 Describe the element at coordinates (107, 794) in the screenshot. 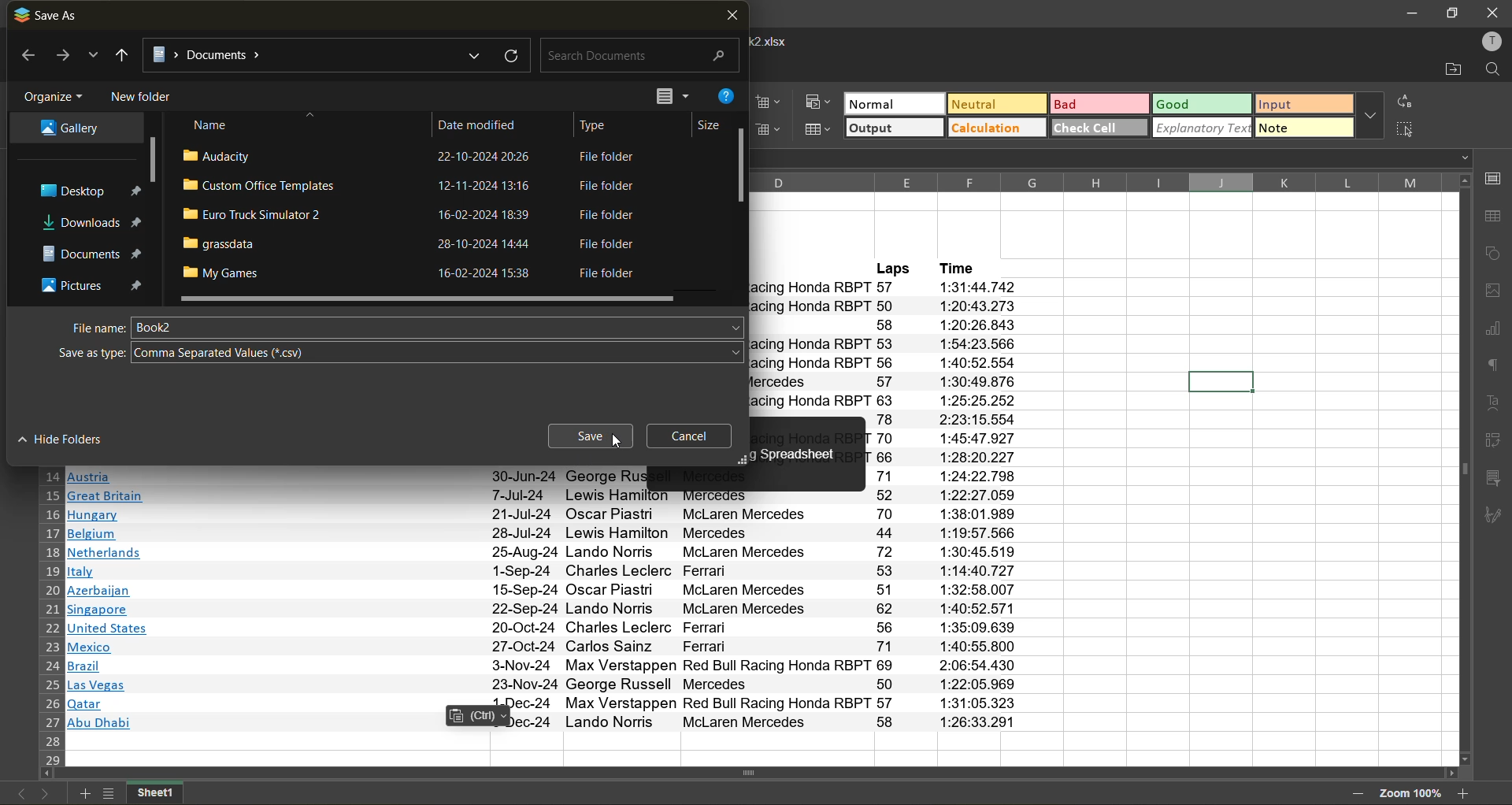

I see `list of sheets` at that location.